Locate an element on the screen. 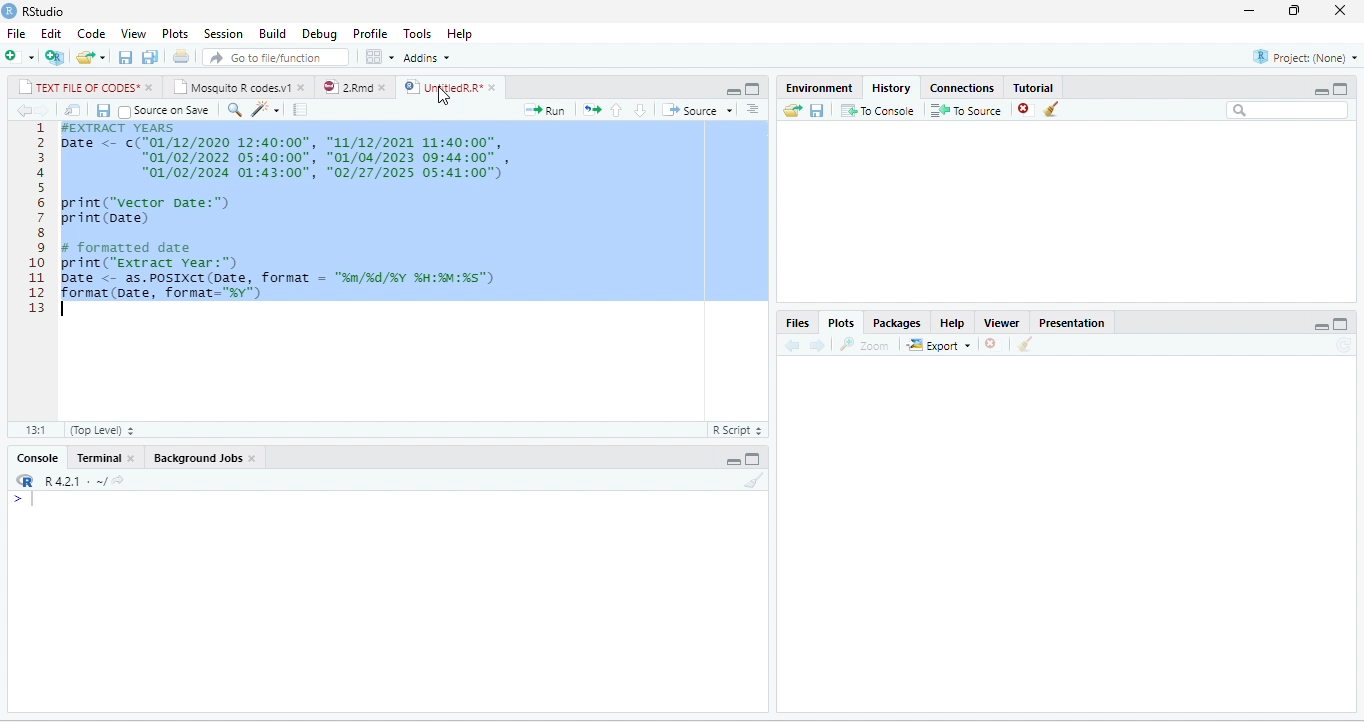 This screenshot has width=1364, height=722. clear is located at coordinates (1052, 109).